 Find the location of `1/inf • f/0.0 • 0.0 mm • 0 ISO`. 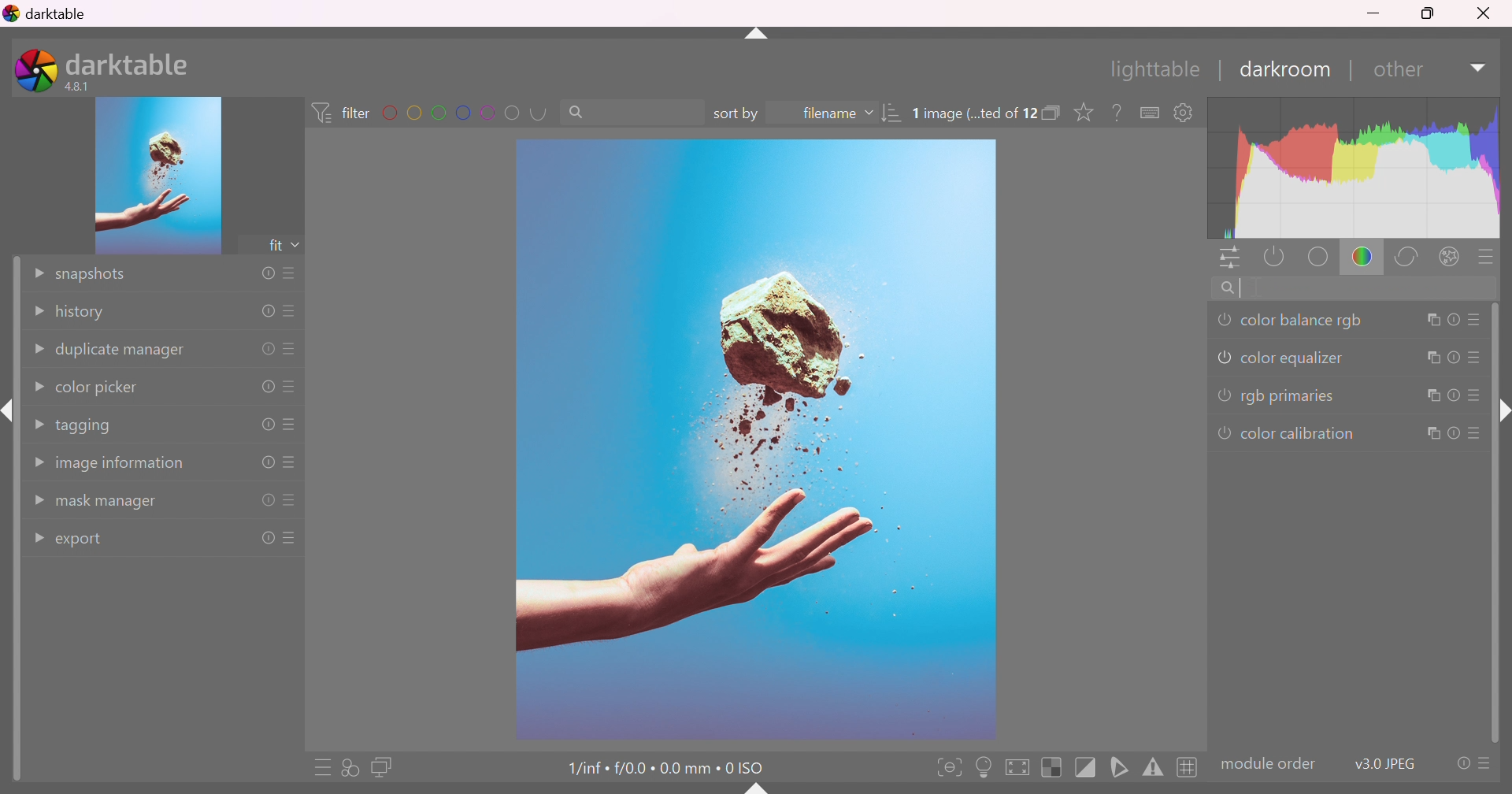

1/inf • f/0.0 • 0.0 mm • 0 ISO is located at coordinates (656, 769).